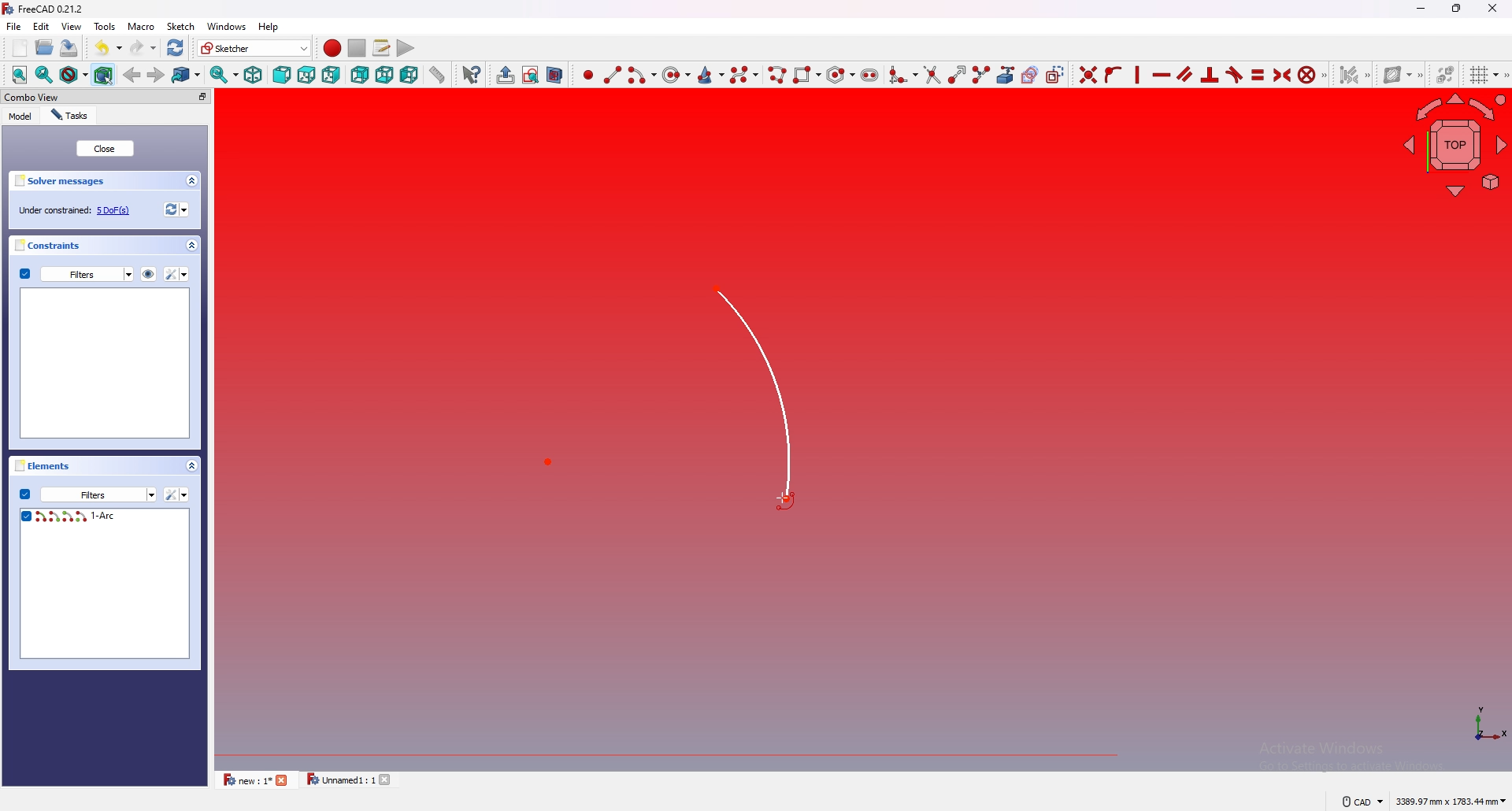 This screenshot has height=811, width=1512. Describe the element at coordinates (72, 25) in the screenshot. I see `view` at that location.